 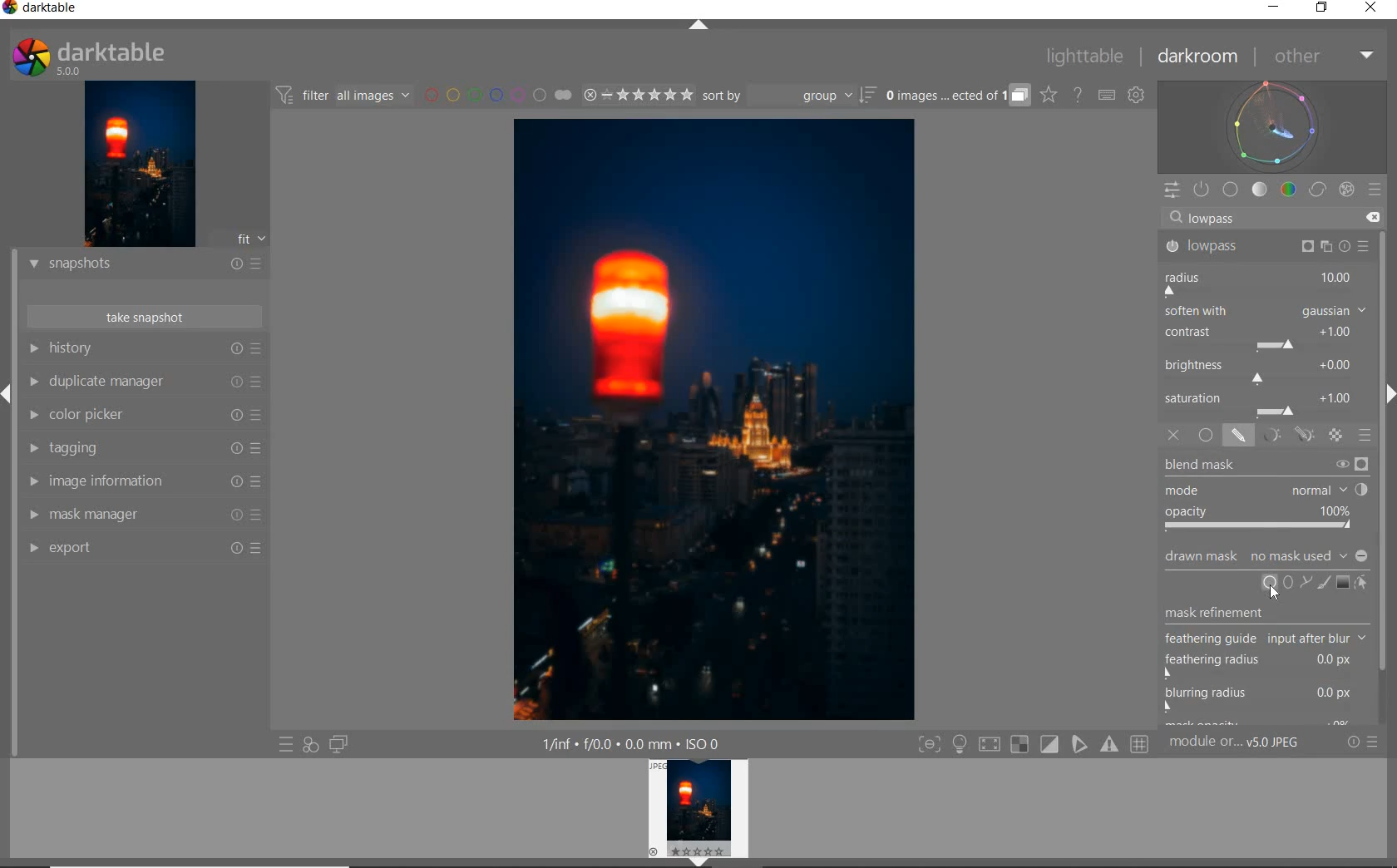 What do you see at coordinates (8, 391) in the screenshot?
I see `EXPAND/COLLAPSE` at bounding box center [8, 391].